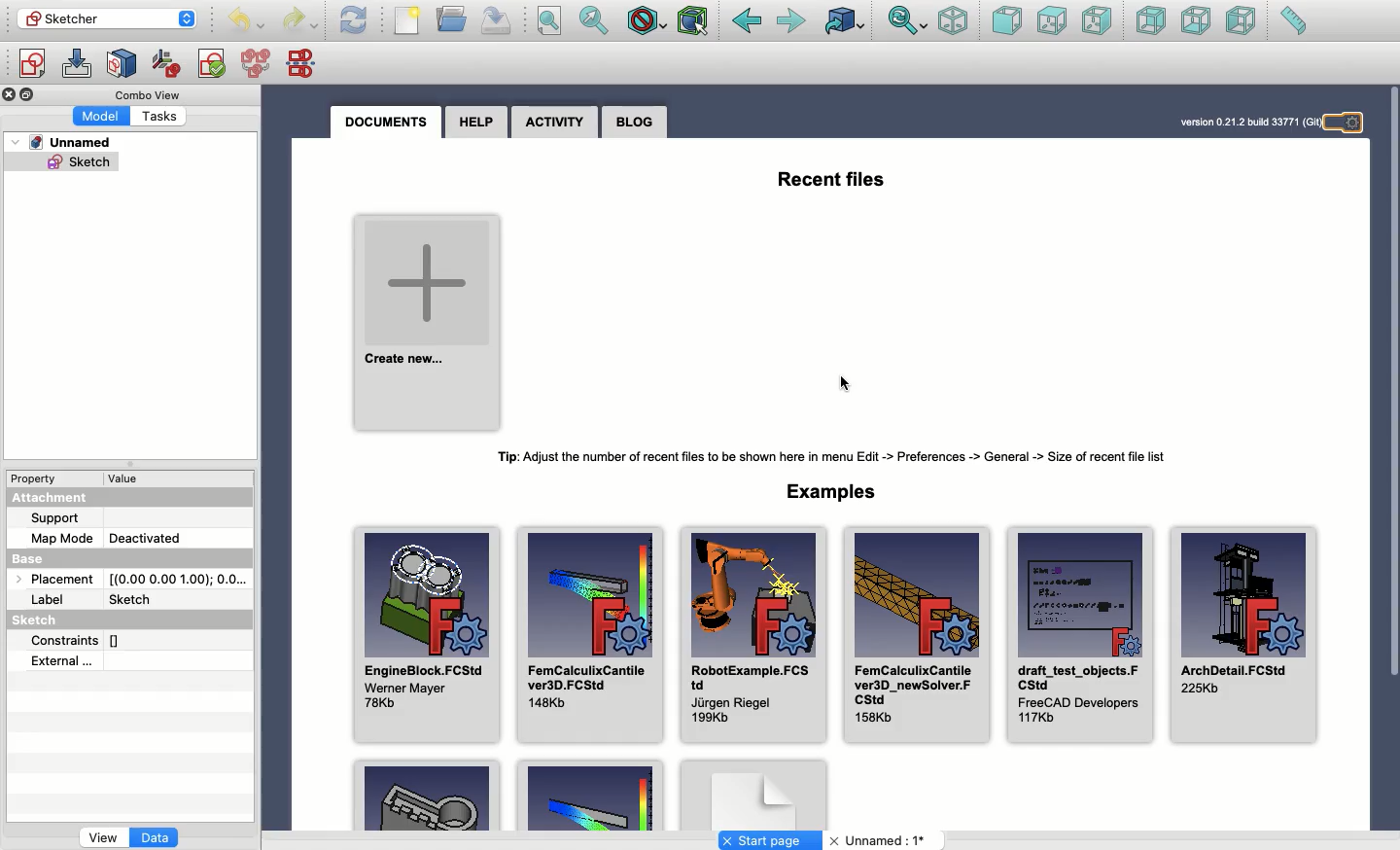 This screenshot has height=850, width=1400. What do you see at coordinates (953, 22) in the screenshot?
I see `Isometric` at bounding box center [953, 22].